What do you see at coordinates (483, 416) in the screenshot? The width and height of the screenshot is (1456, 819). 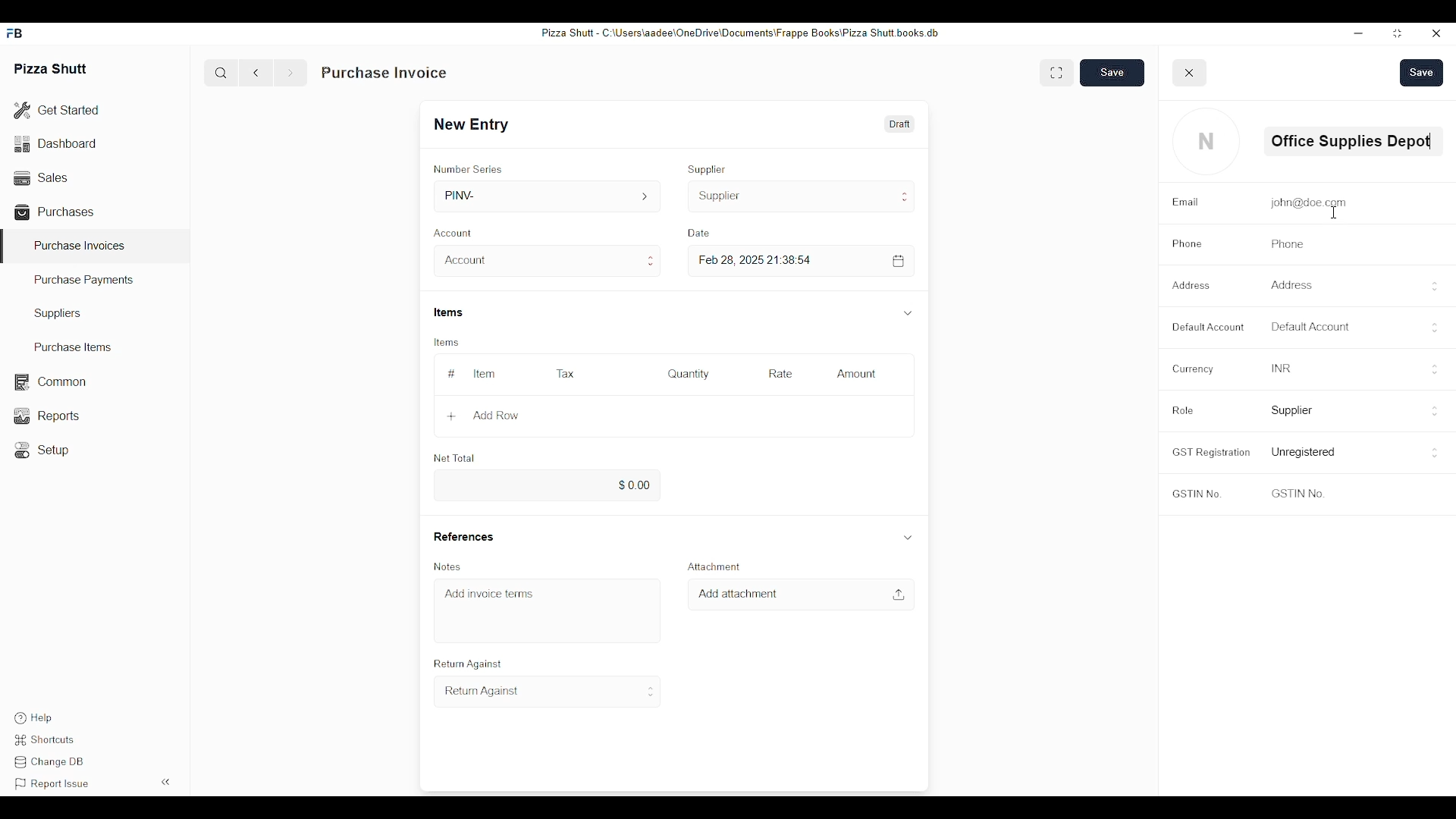 I see `Add Row` at bounding box center [483, 416].